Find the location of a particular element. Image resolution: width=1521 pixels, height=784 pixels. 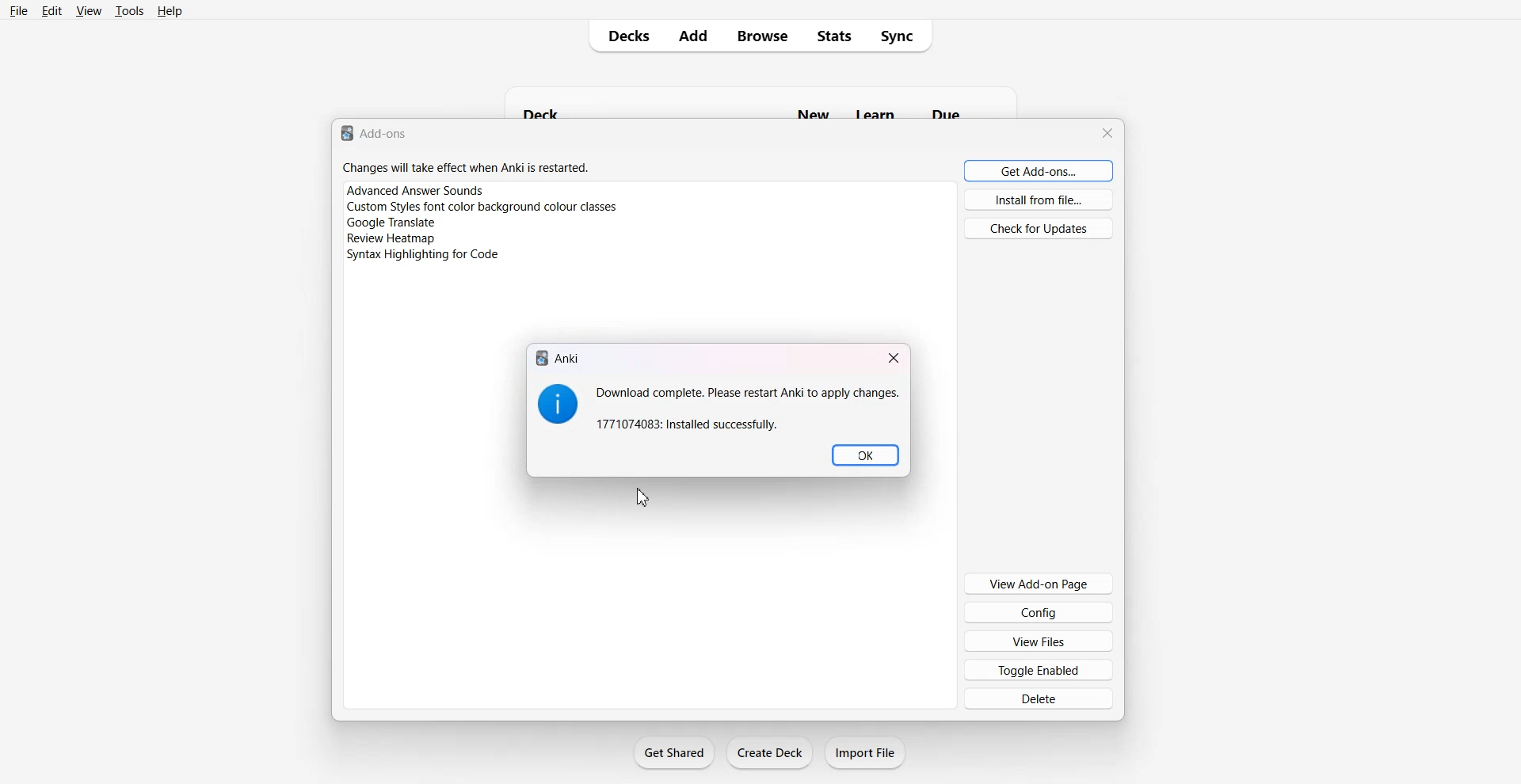

Toggle Enabled is located at coordinates (1038, 669).